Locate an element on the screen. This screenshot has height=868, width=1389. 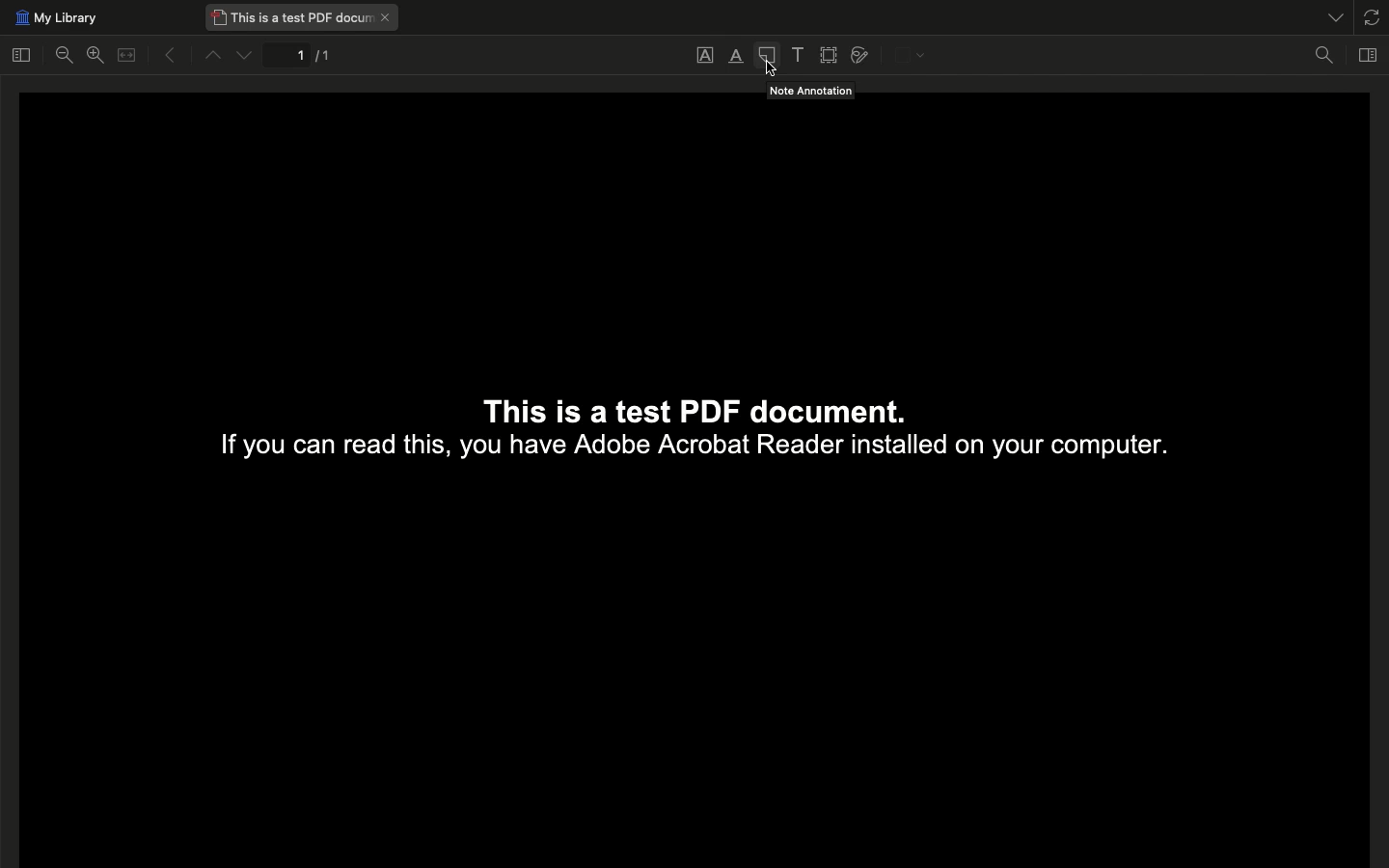
List all tabs is located at coordinates (1330, 14).